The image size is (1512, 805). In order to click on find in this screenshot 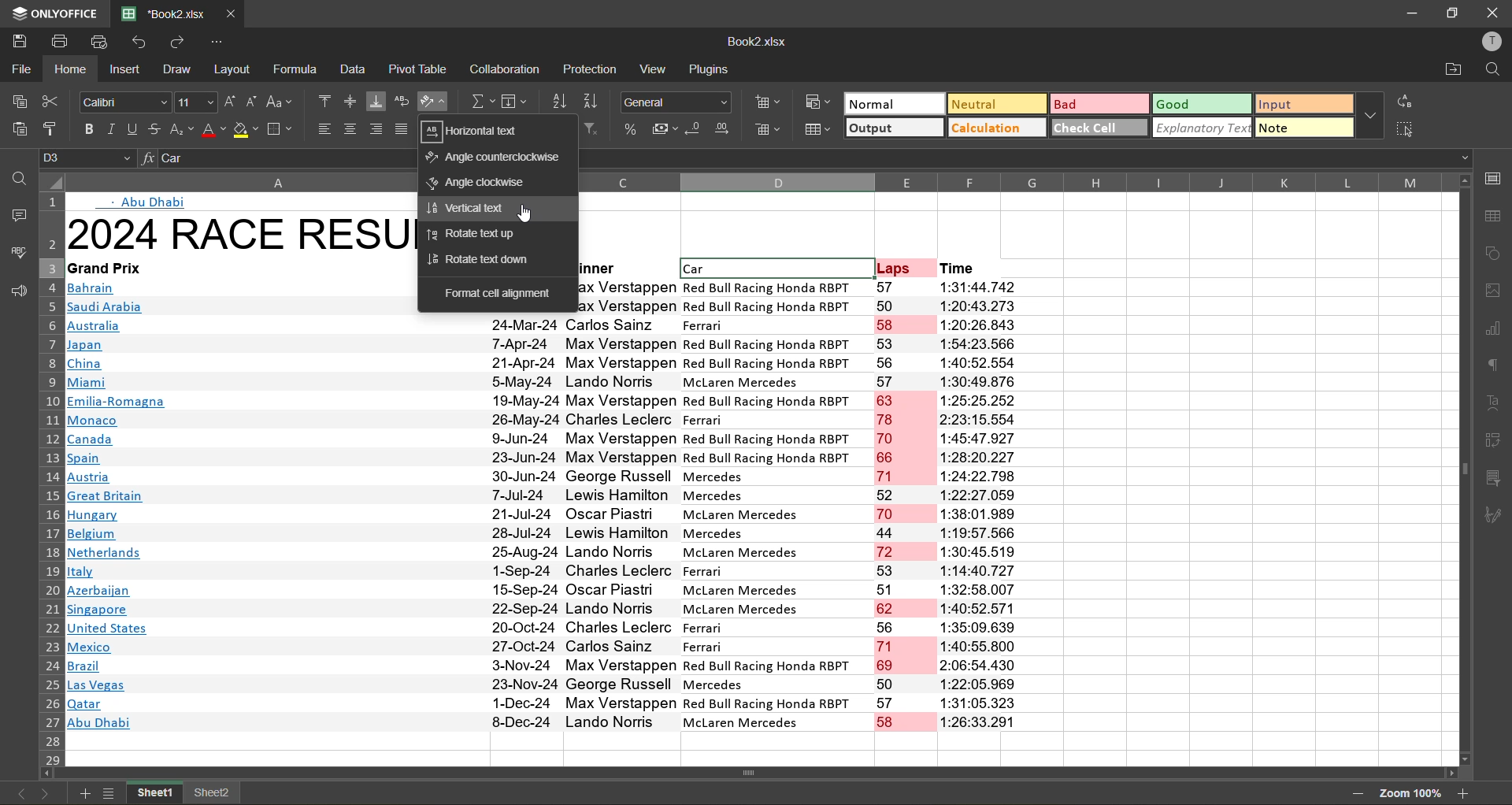, I will do `click(1495, 72)`.